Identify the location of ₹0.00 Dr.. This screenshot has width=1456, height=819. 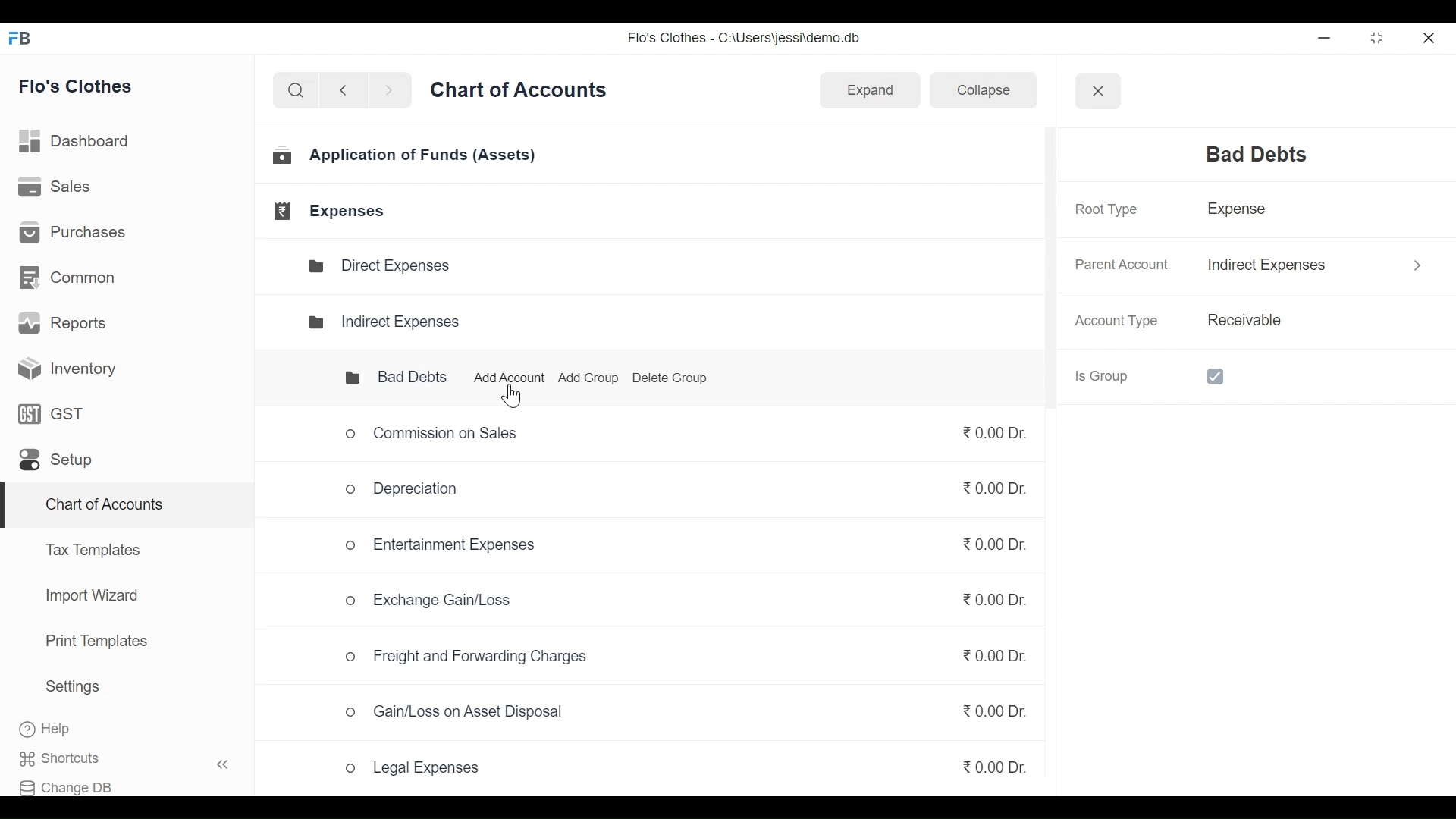
(990, 490).